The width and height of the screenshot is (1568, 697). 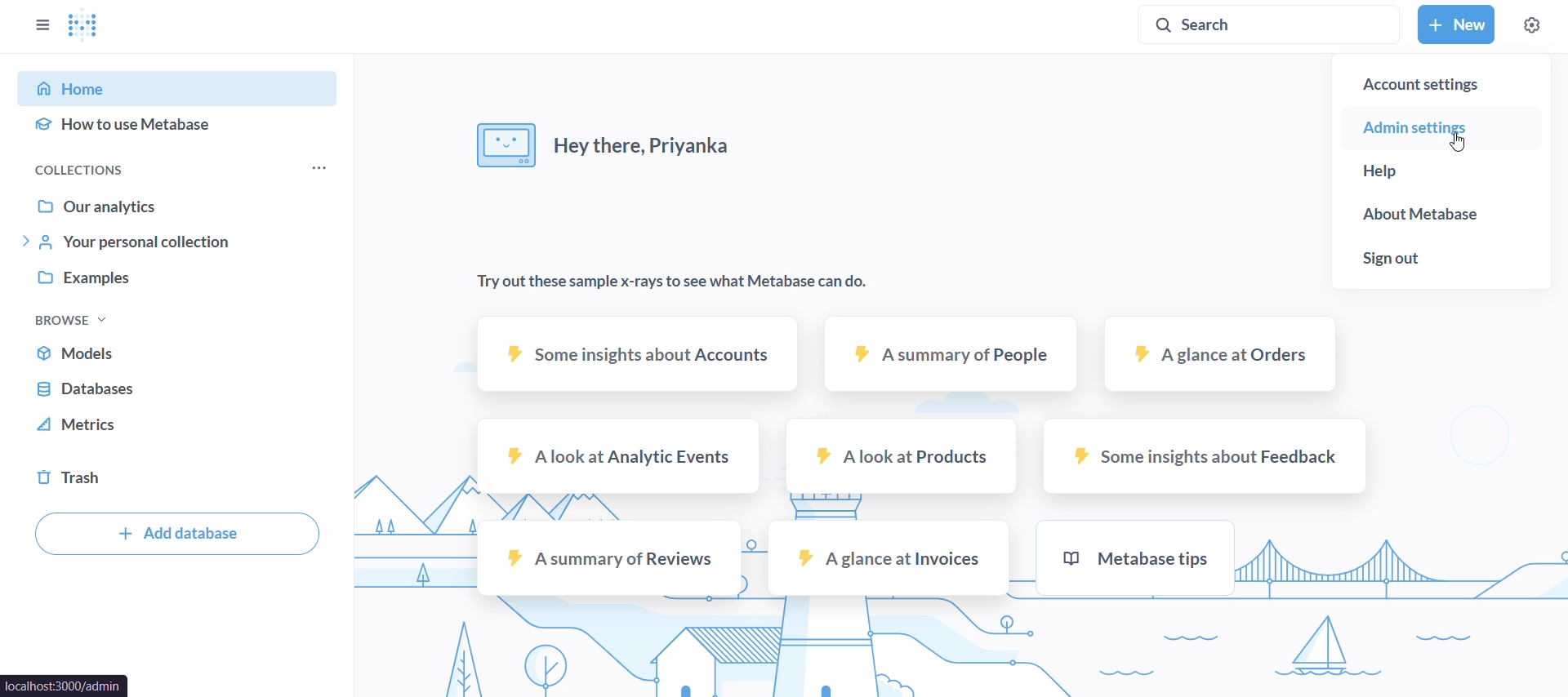 I want to click on account settings, so click(x=1439, y=78).